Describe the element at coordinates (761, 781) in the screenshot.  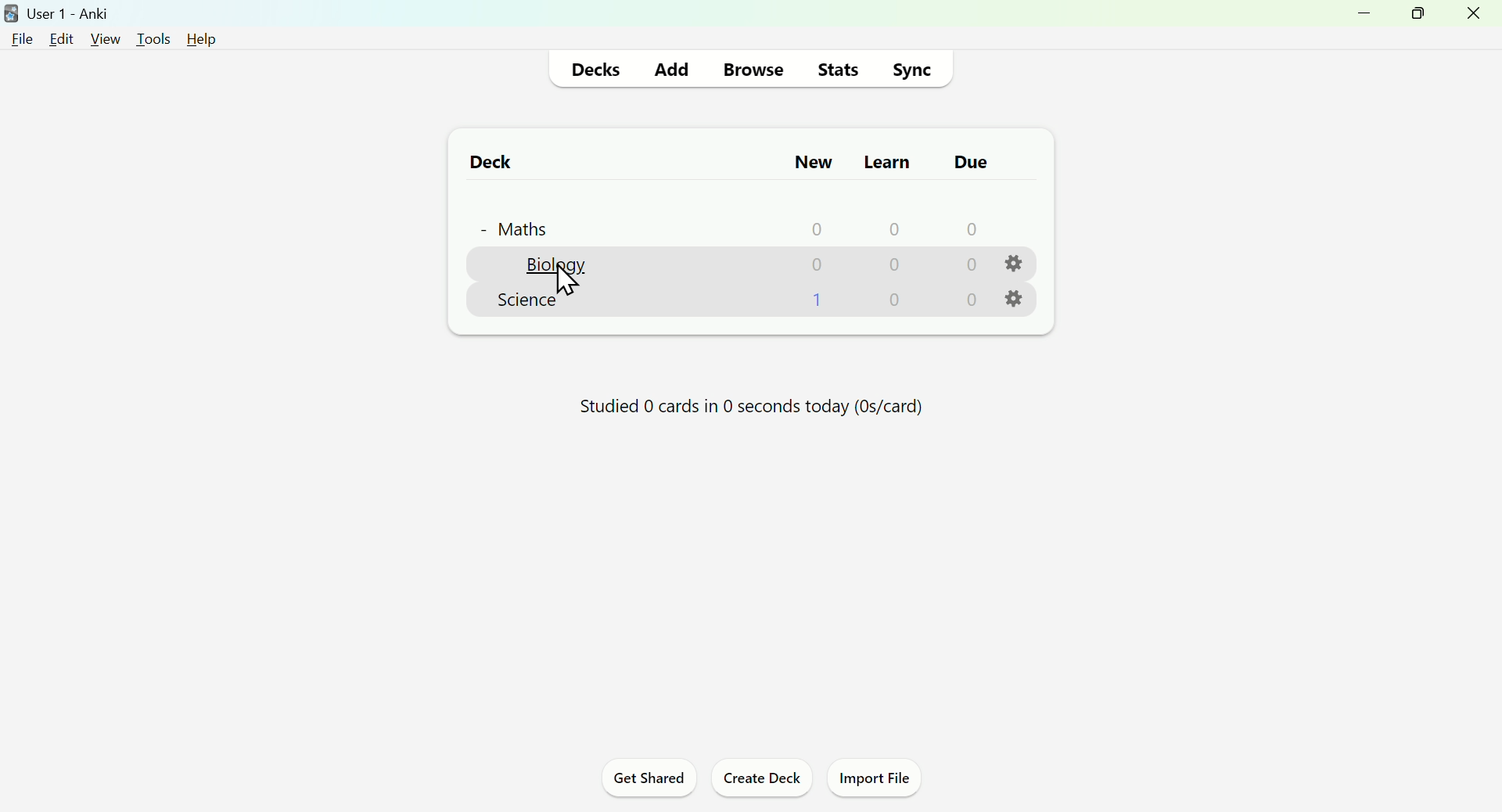
I see `Create Deck` at that location.